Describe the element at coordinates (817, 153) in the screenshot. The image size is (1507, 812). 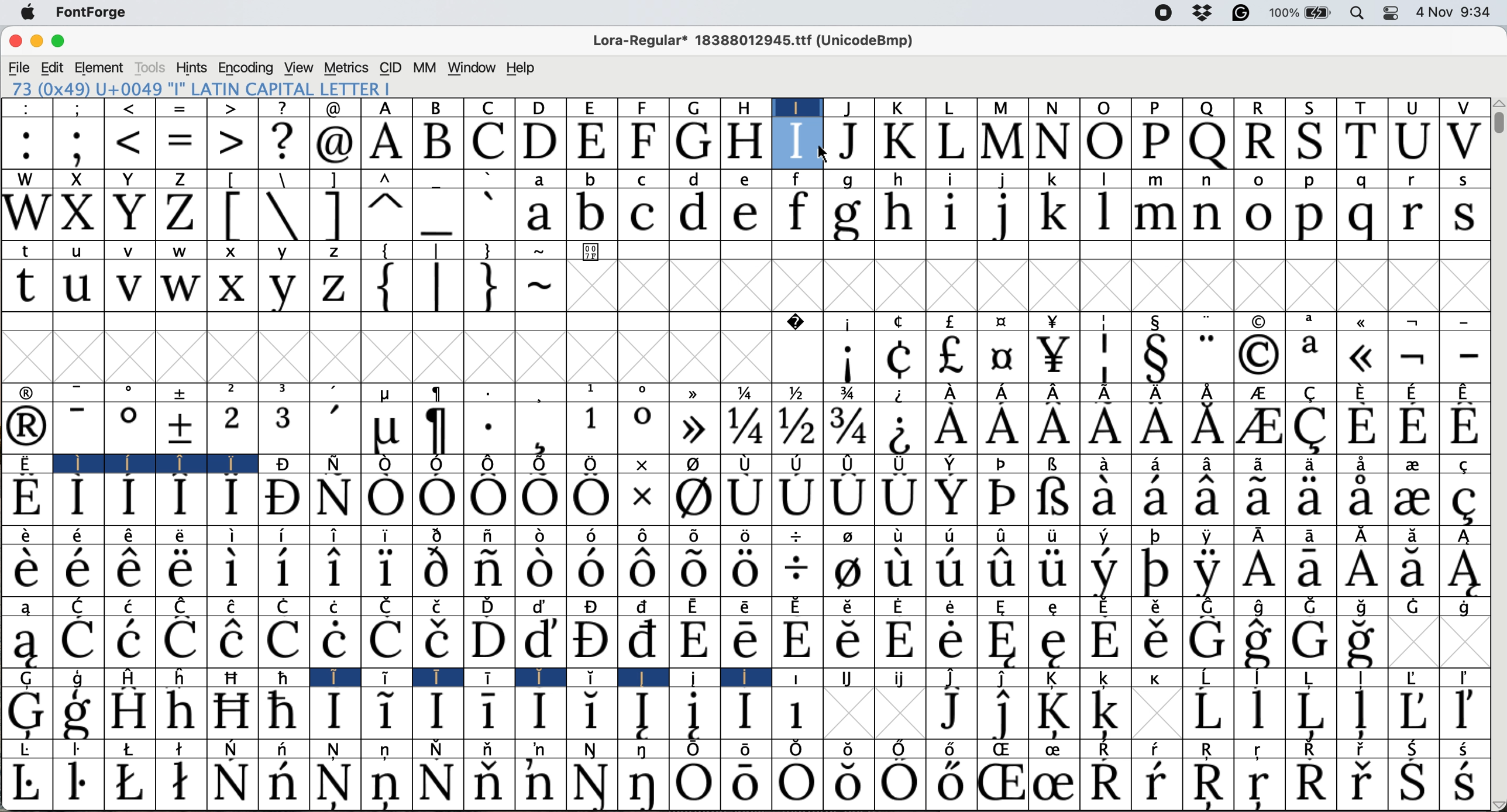
I see `cursor` at that location.